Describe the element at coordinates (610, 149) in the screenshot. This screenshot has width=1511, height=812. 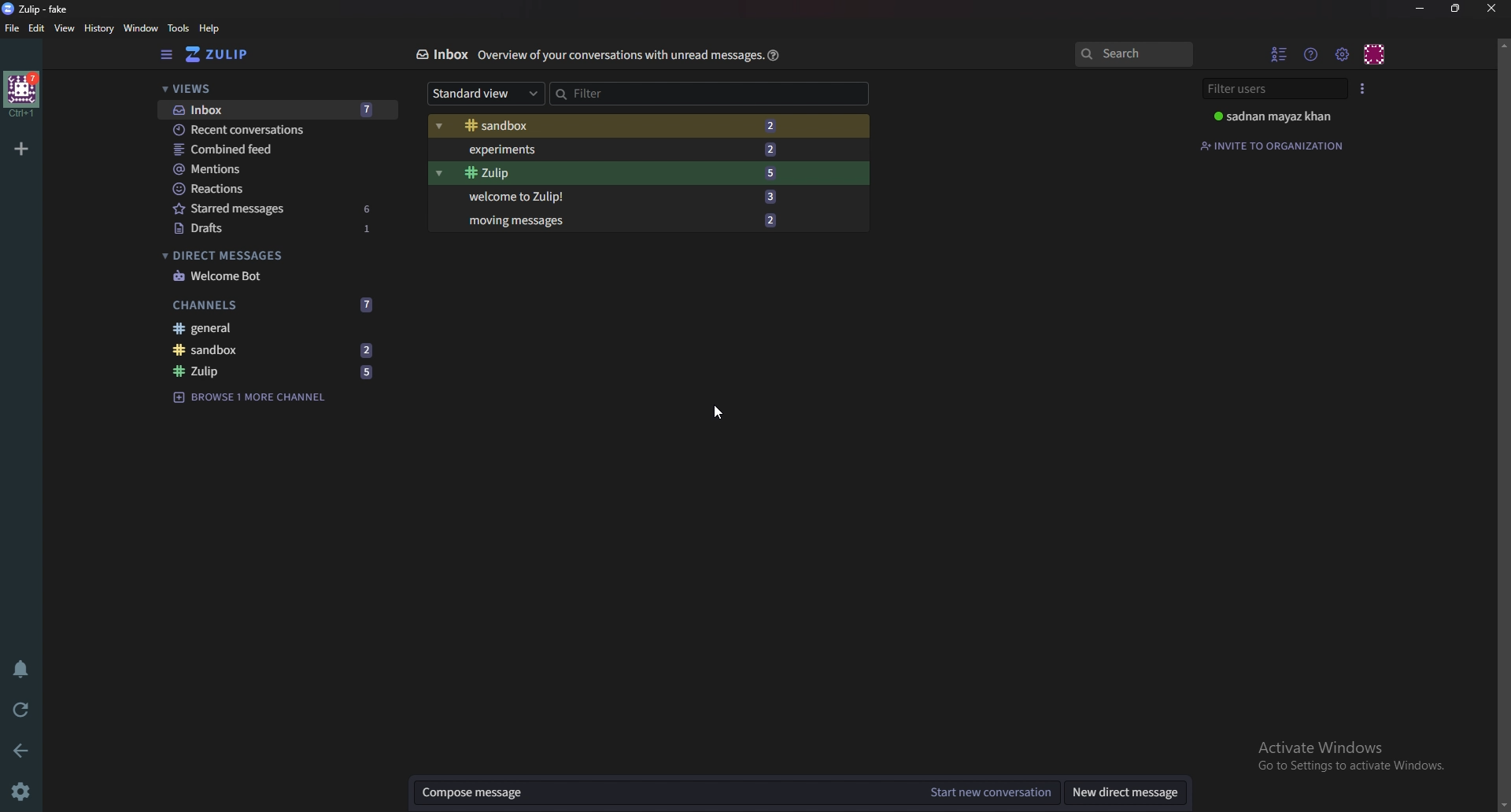
I see `Experiments 2` at that location.